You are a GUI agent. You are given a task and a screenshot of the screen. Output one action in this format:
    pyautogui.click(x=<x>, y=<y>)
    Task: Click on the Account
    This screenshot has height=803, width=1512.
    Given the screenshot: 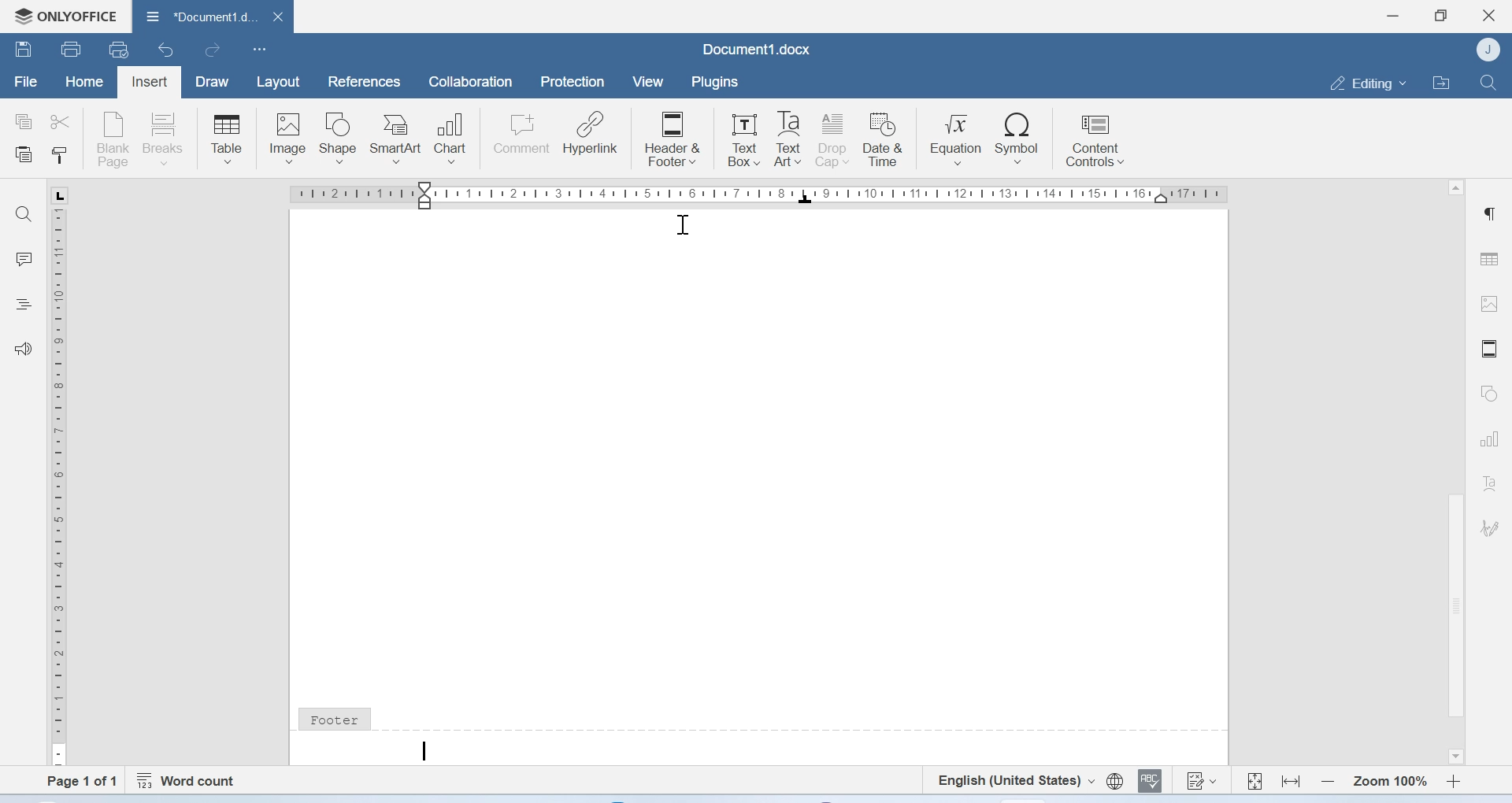 What is the action you would take?
    pyautogui.click(x=1488, y=50)
    